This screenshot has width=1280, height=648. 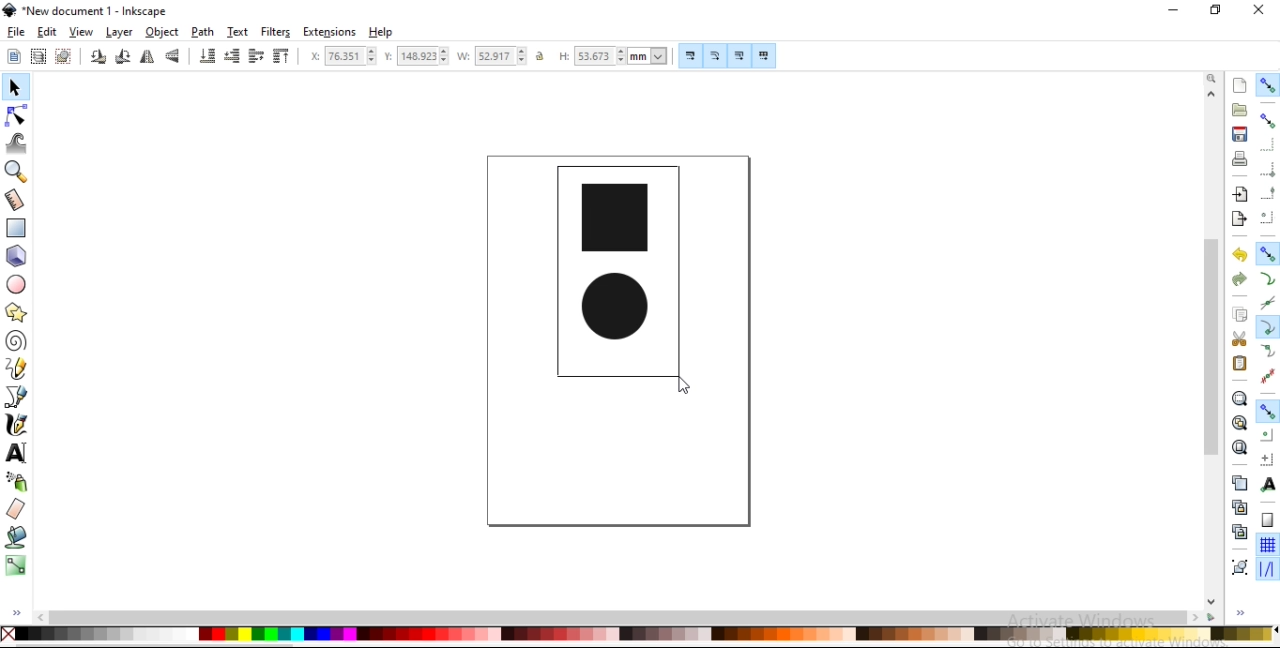 I want to click on select all objects in all visible and unlocked layers, so click(x=37, y=56).